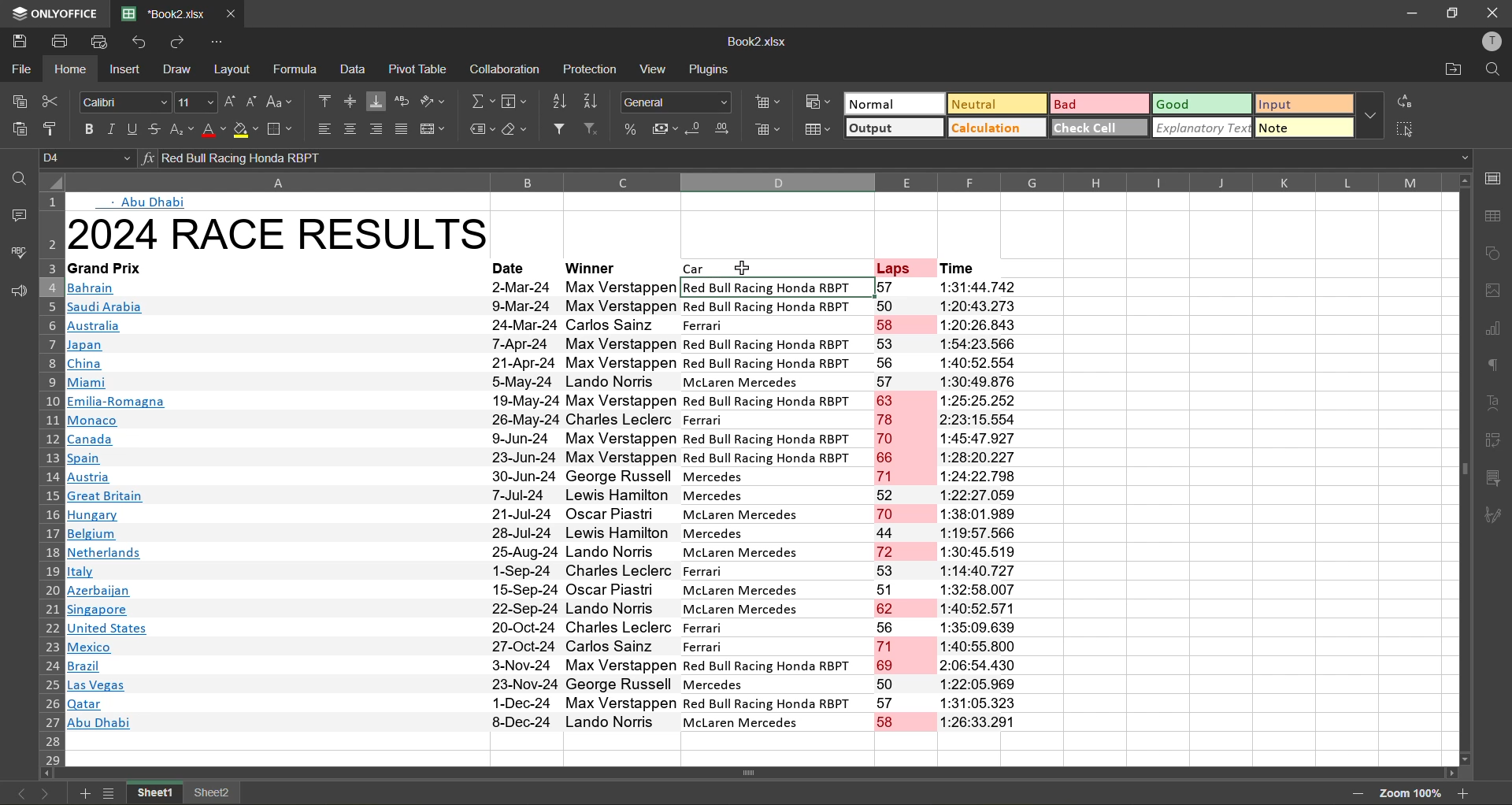 This screenshot has height=805, width=1512. What do you see at coordinates (1495, 72) in the screenshot?
I see `find` at bounding box center [1495, 72].